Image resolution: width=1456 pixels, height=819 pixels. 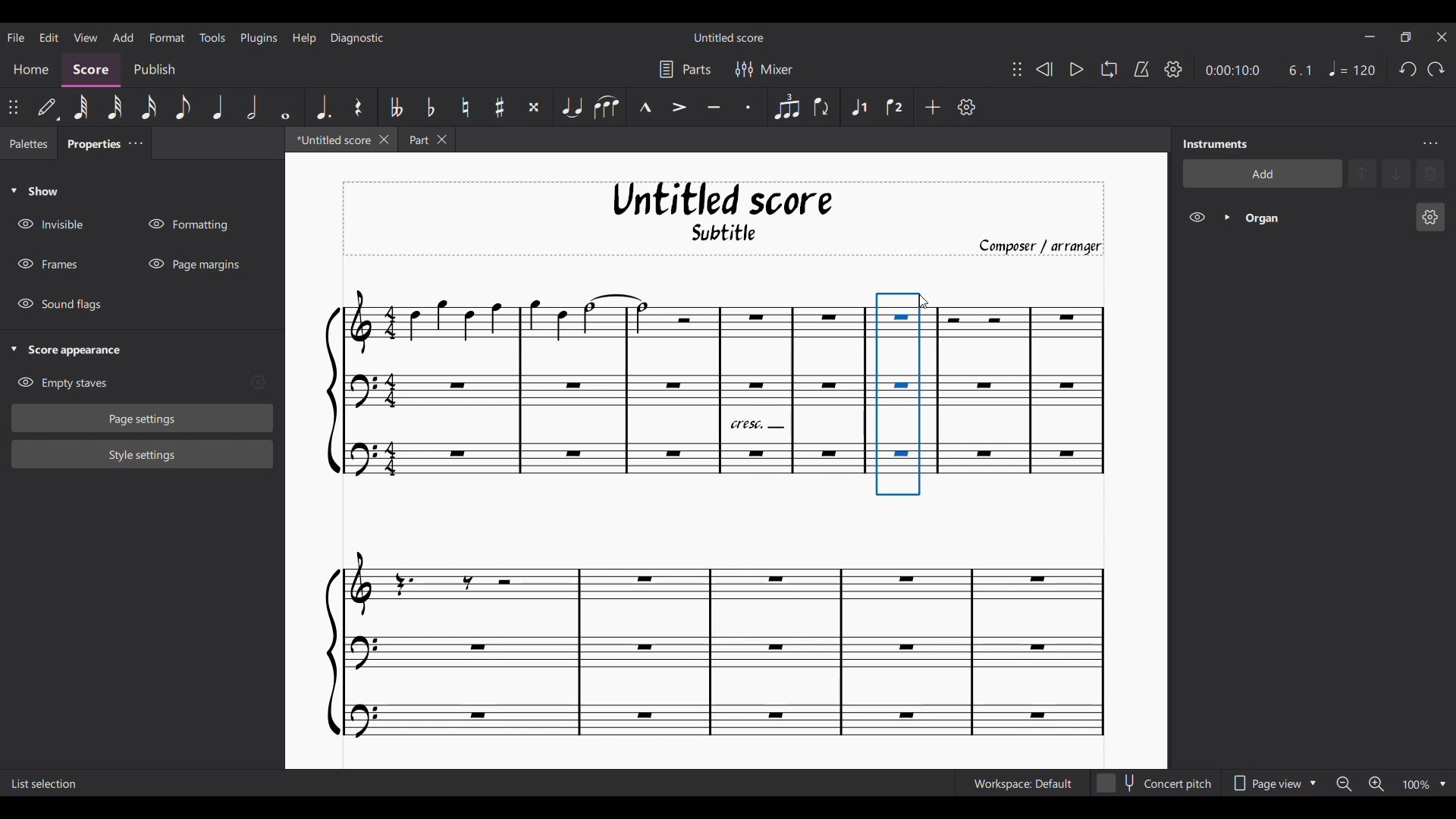 What do you see at coordinates (50, 224) in the screenshot?
I see `Hide Invisible` at bounding box center [50, 224].